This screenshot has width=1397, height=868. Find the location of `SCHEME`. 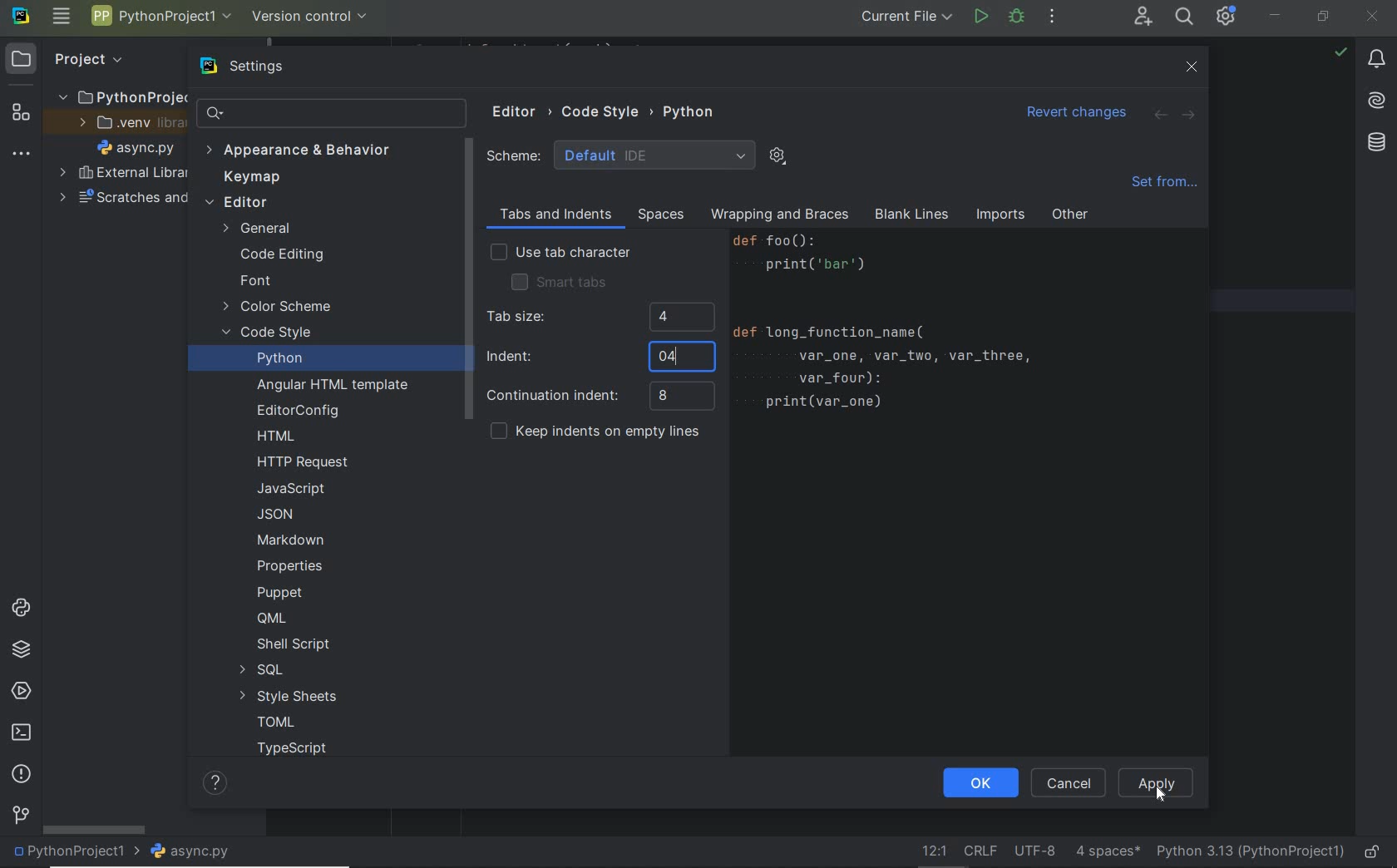

SCHEME is located at coordinates (622, 155).